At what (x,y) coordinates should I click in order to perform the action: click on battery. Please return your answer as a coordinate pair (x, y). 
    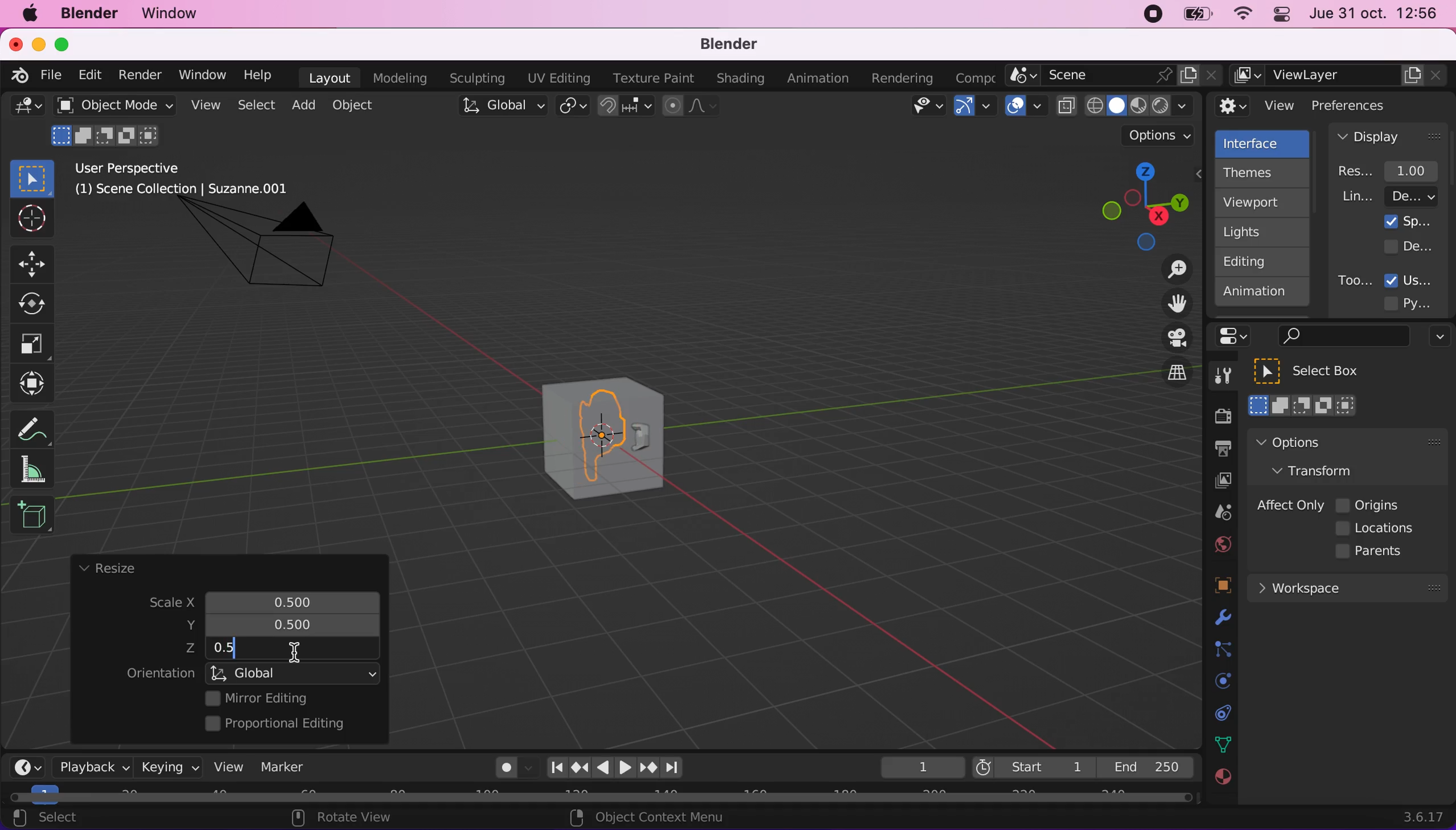
    Looking at the image, I should click on (1193, 17).